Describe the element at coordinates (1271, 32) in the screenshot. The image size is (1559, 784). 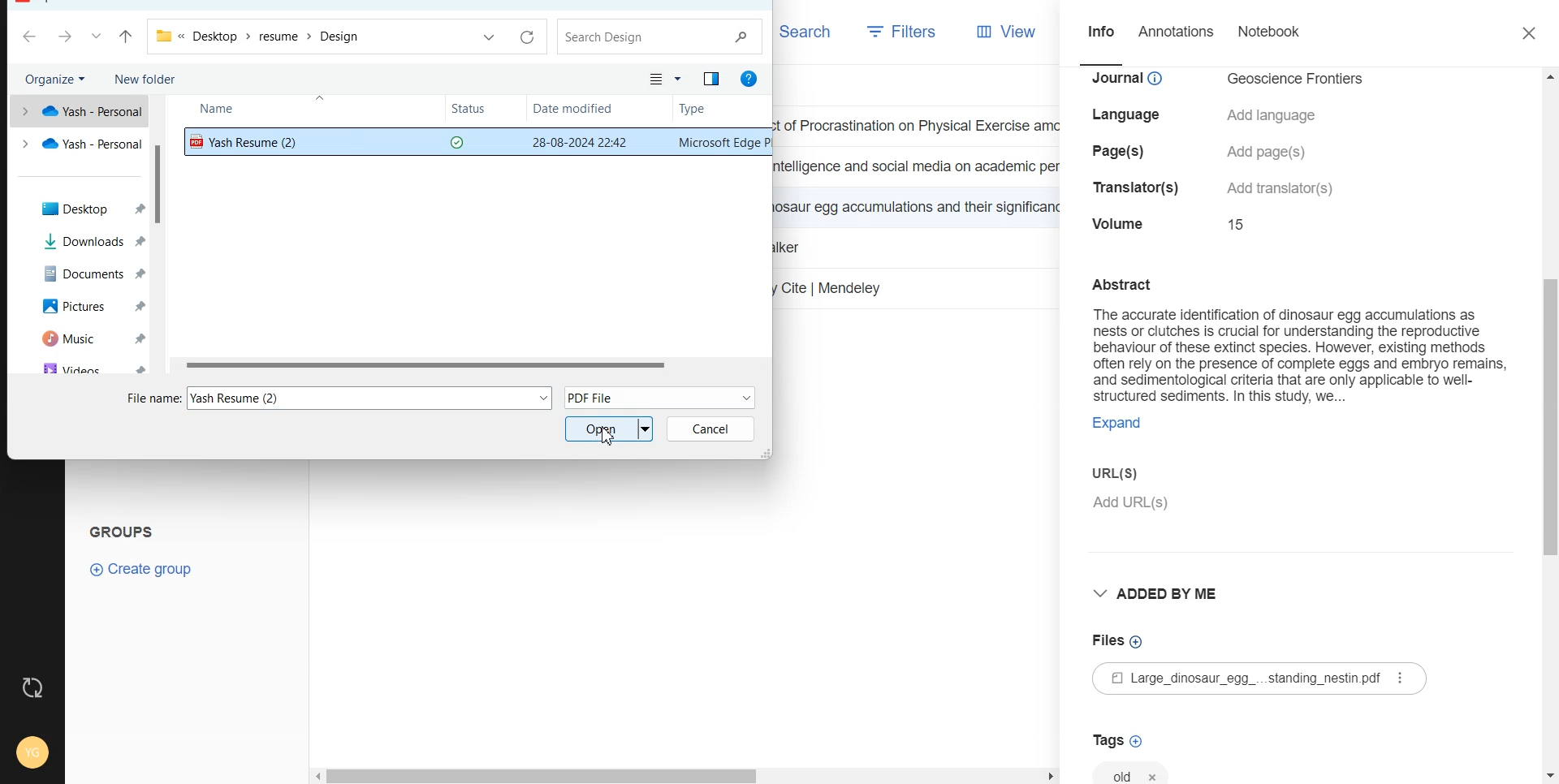
I see `Notebook` at that location.